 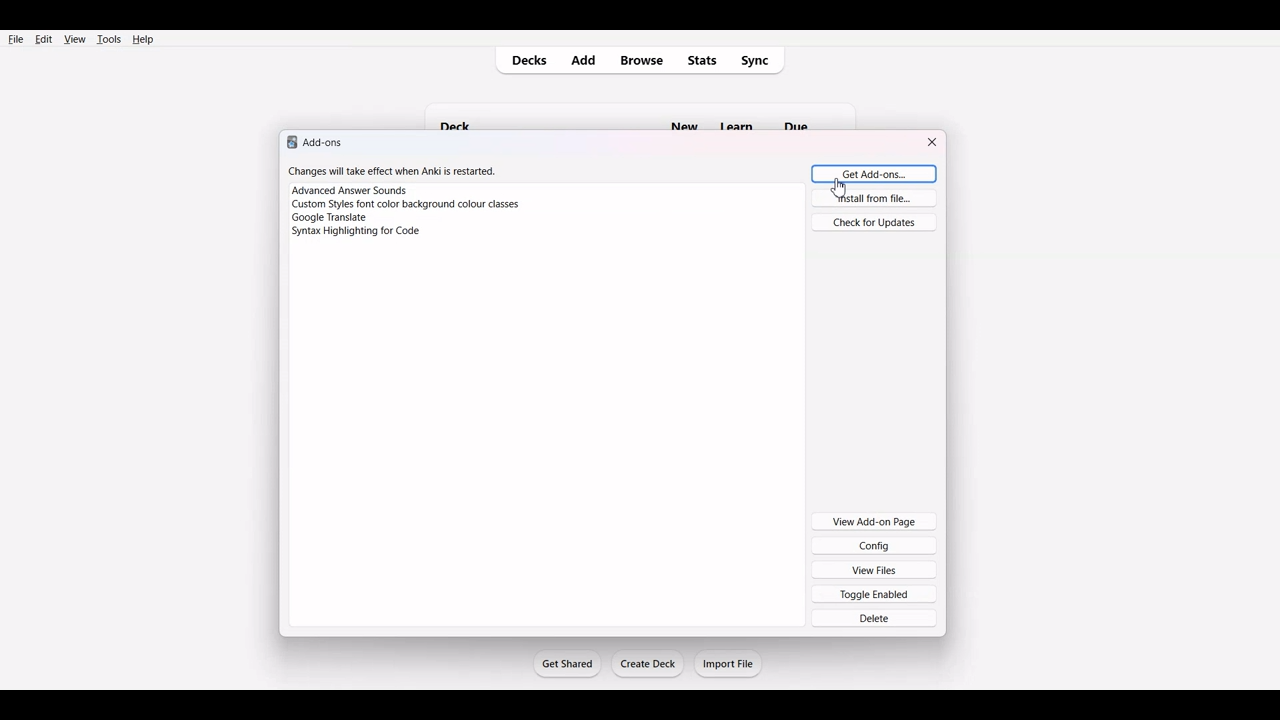 I want to click on new, so click(x=683, y=116).